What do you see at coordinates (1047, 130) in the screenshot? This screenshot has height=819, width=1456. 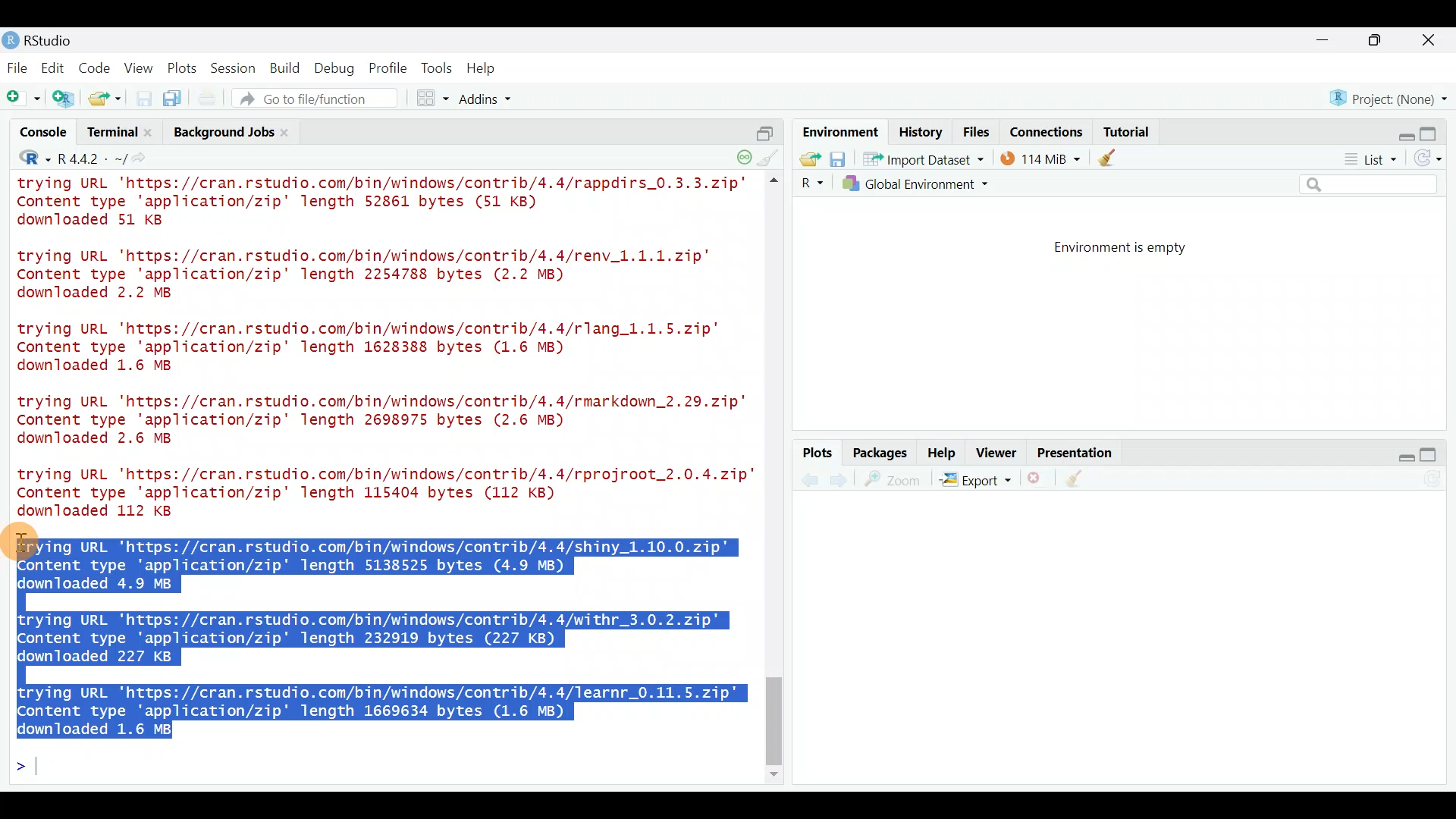 I see `Connections` at bounding box center [1047, 130].